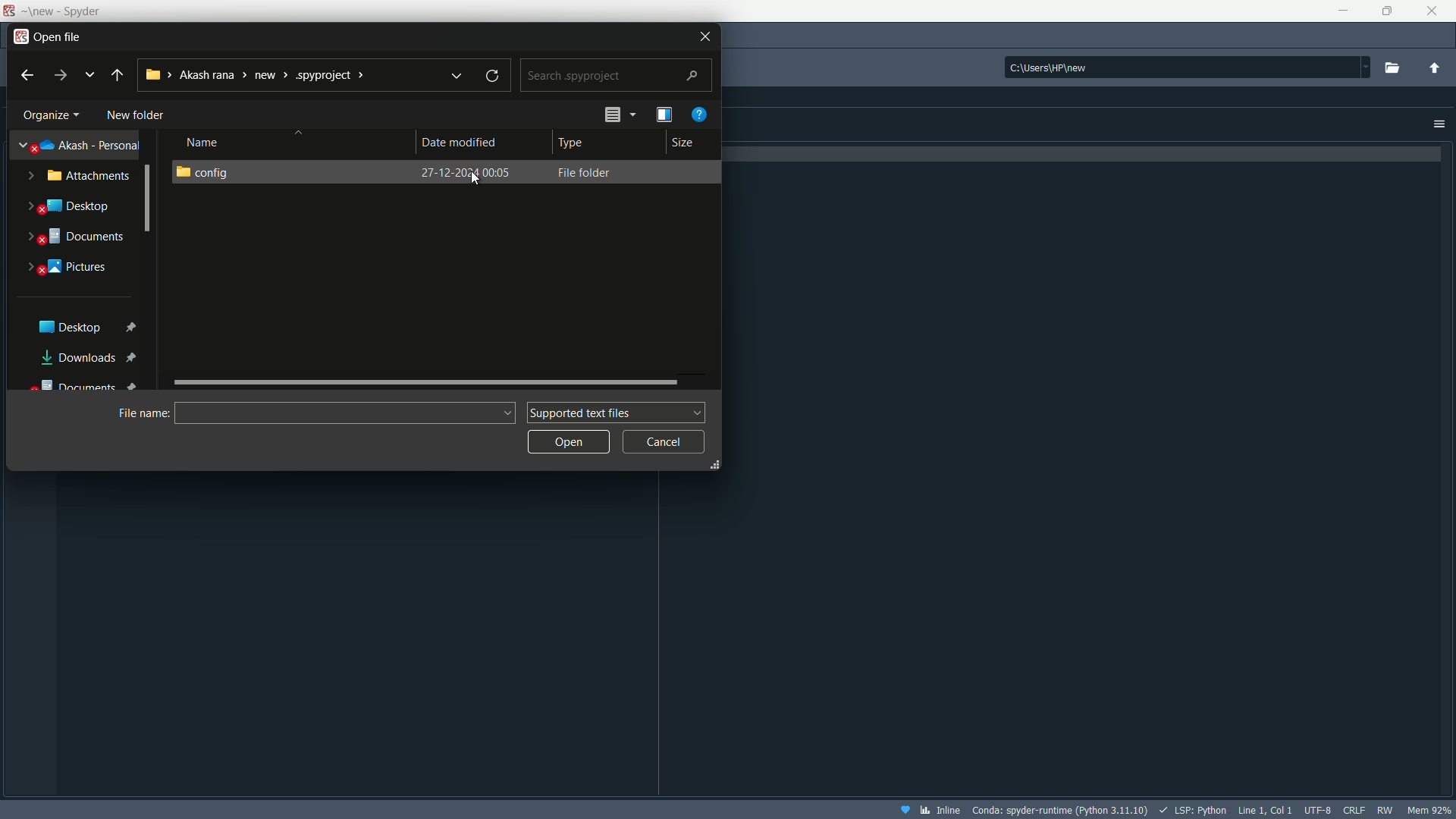 The width and height of the screenshot is (1456, 819). What do you see at coordinates (1392, 67) in the screenshot?
I see `Browse a working directory` at bounding box center [1392, 67].